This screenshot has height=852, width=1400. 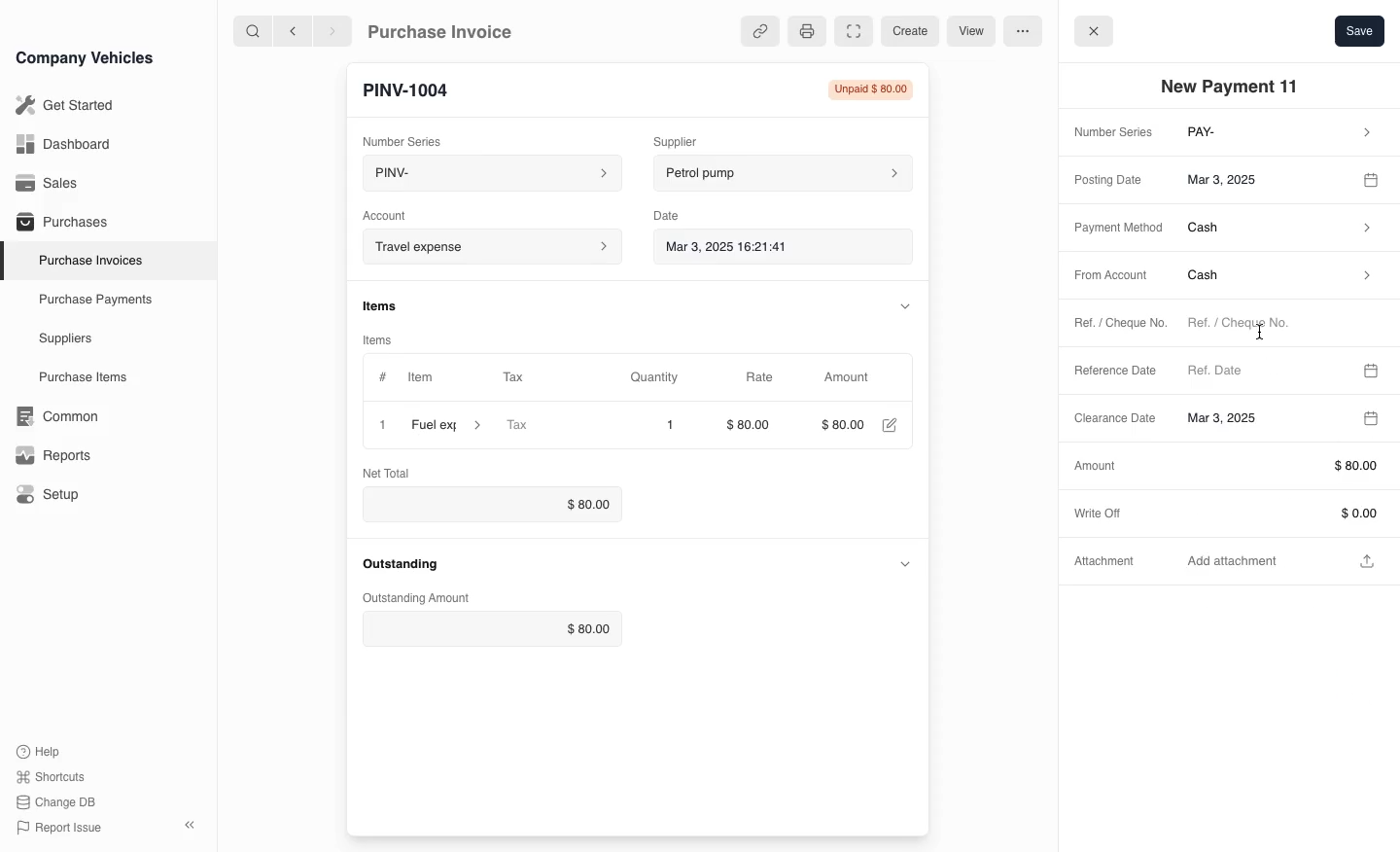 What do you see at coordinates (58, 802) in the screenshot?
I see `change DB` at bounding box center [58, 802].